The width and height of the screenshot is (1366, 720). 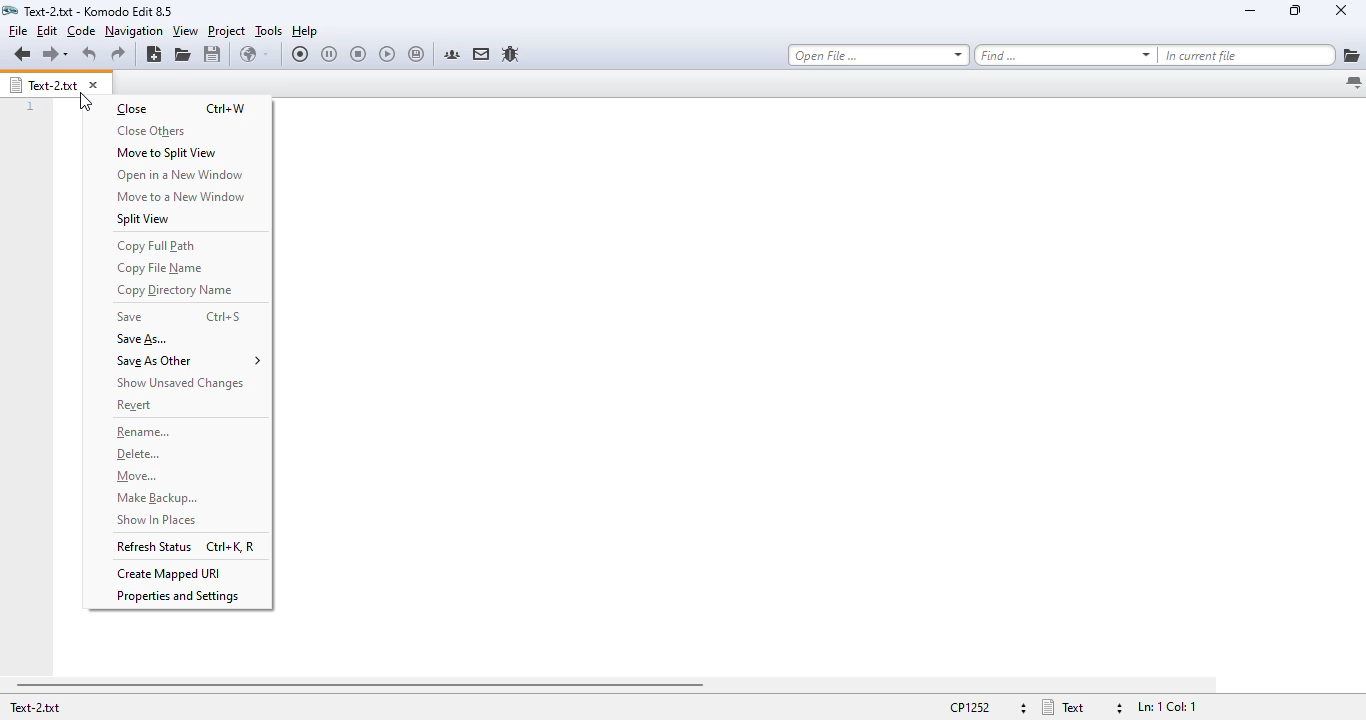 I want to click on create mapped URI, so click(x=171, y=573).